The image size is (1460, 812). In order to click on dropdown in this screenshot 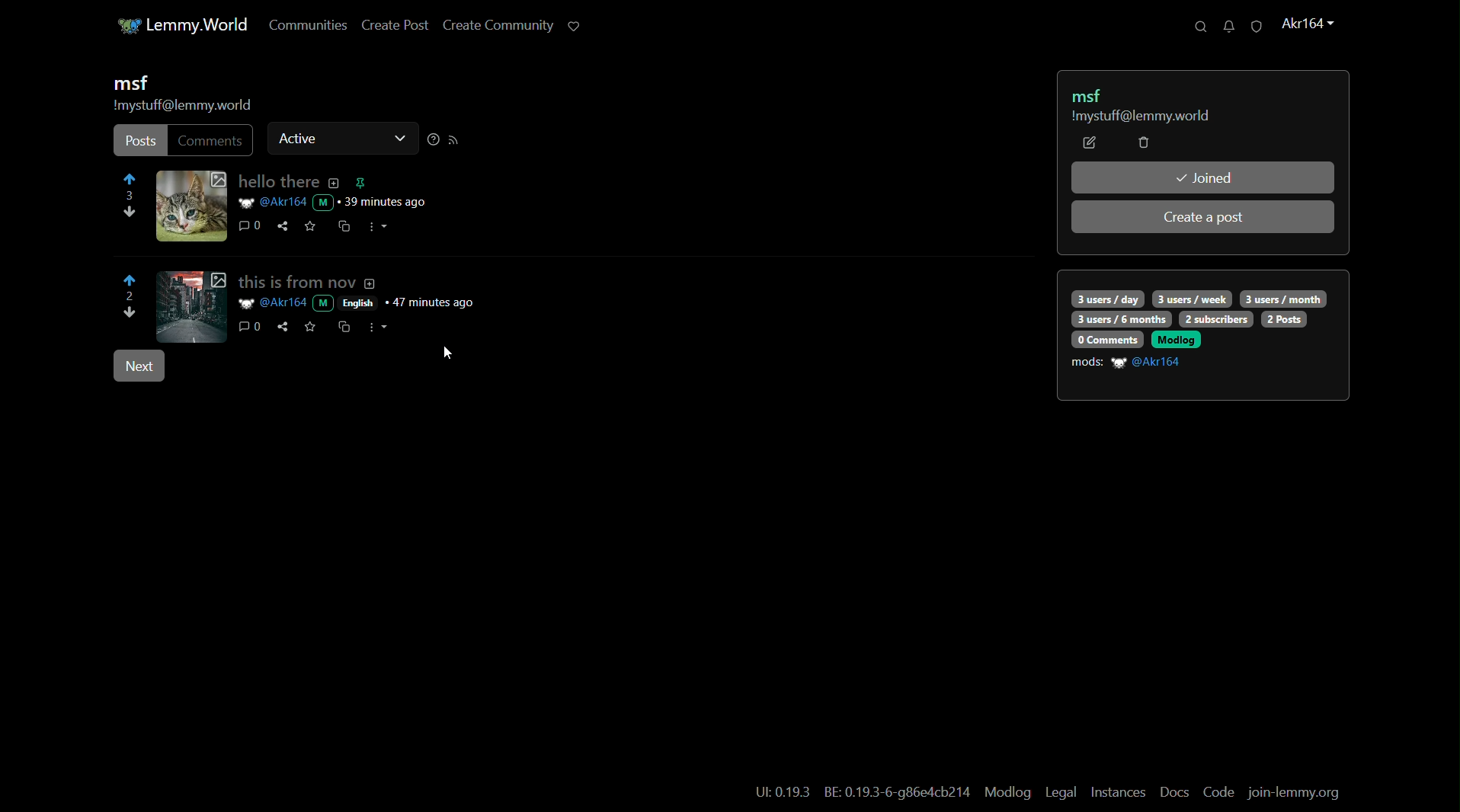, I will do `click(398, 140)`.